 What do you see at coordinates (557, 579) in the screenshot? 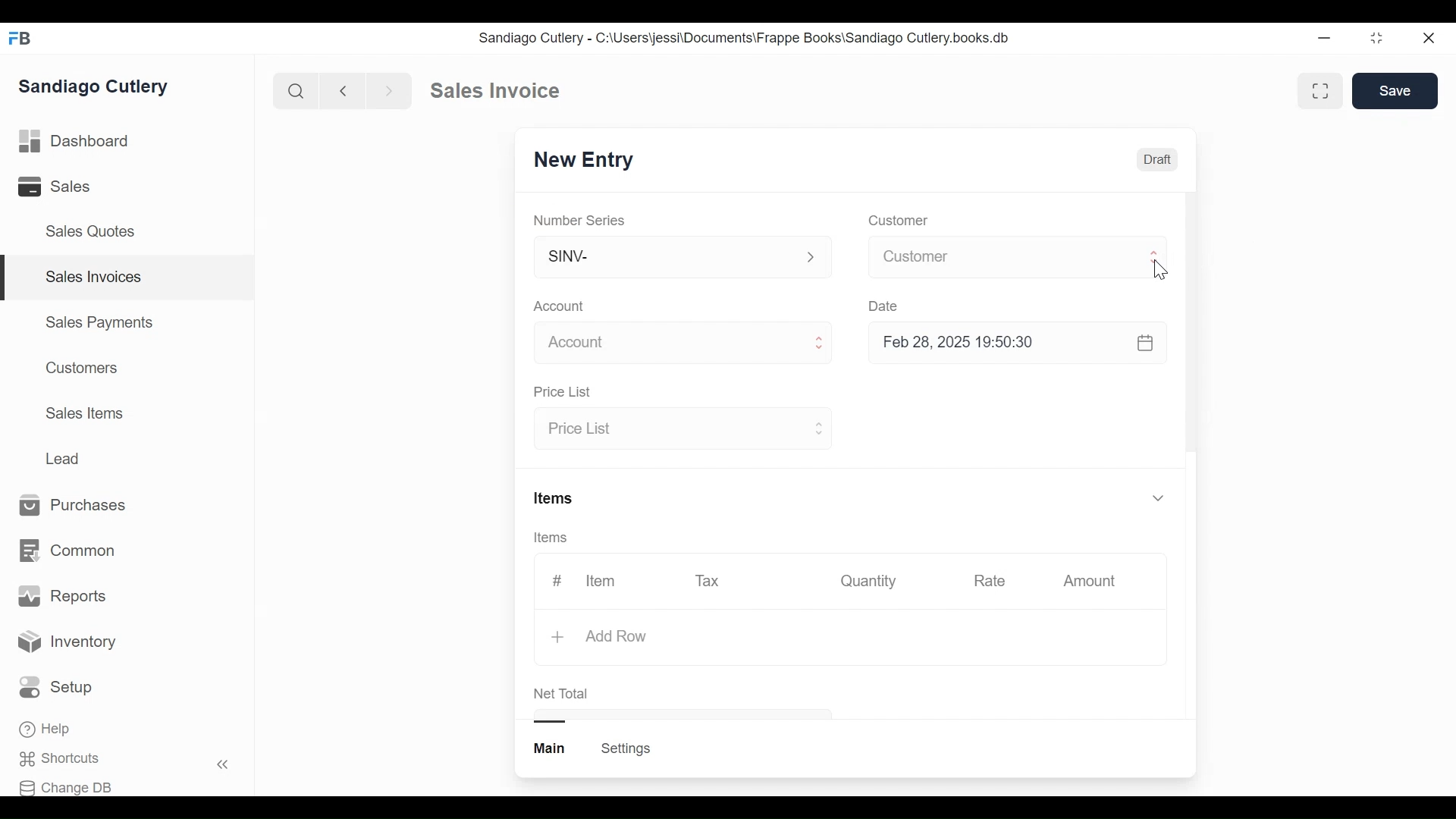
I see `#` at bounding box center [557, 579].